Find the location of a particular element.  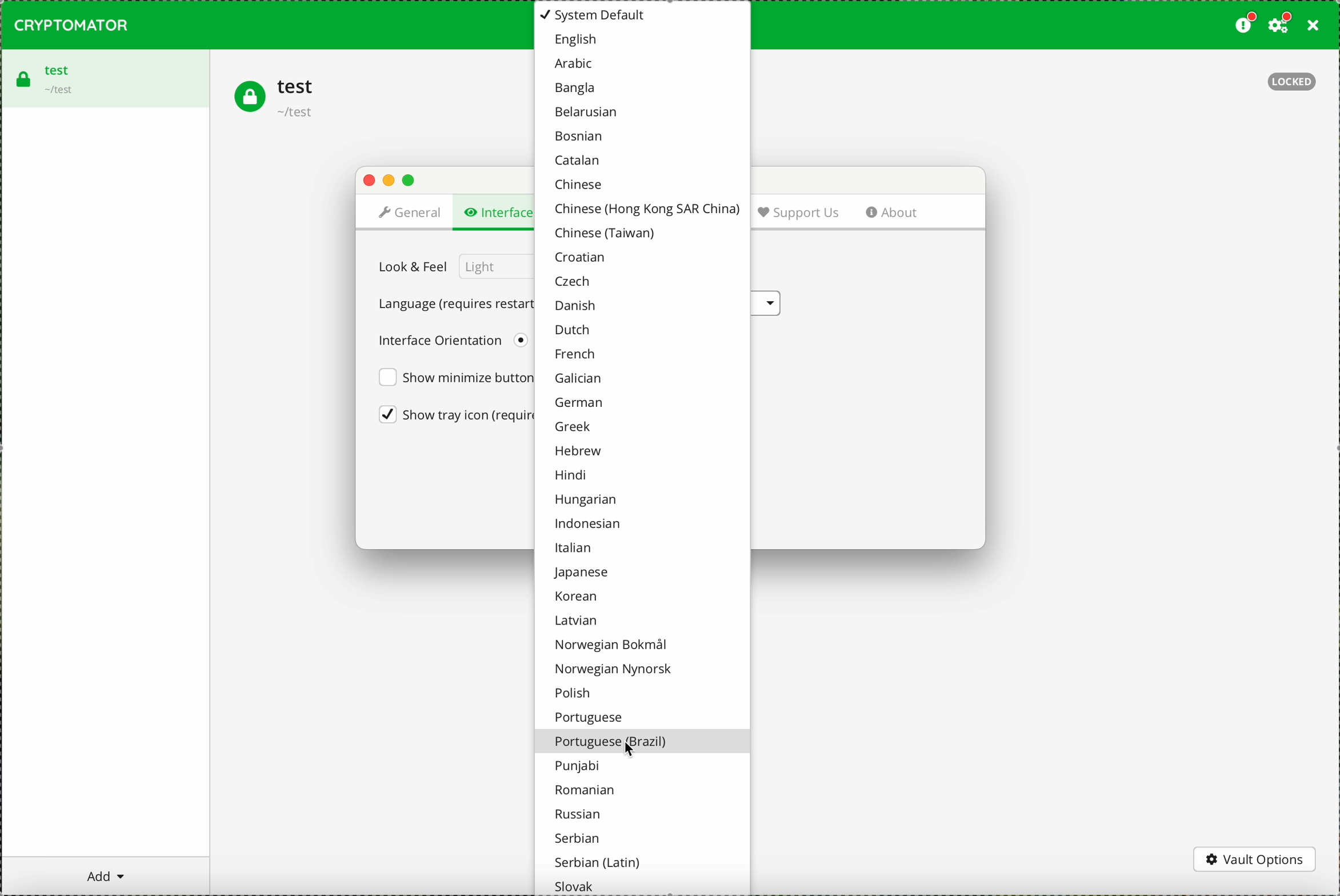

romanian is located at coordinates (583, 793).